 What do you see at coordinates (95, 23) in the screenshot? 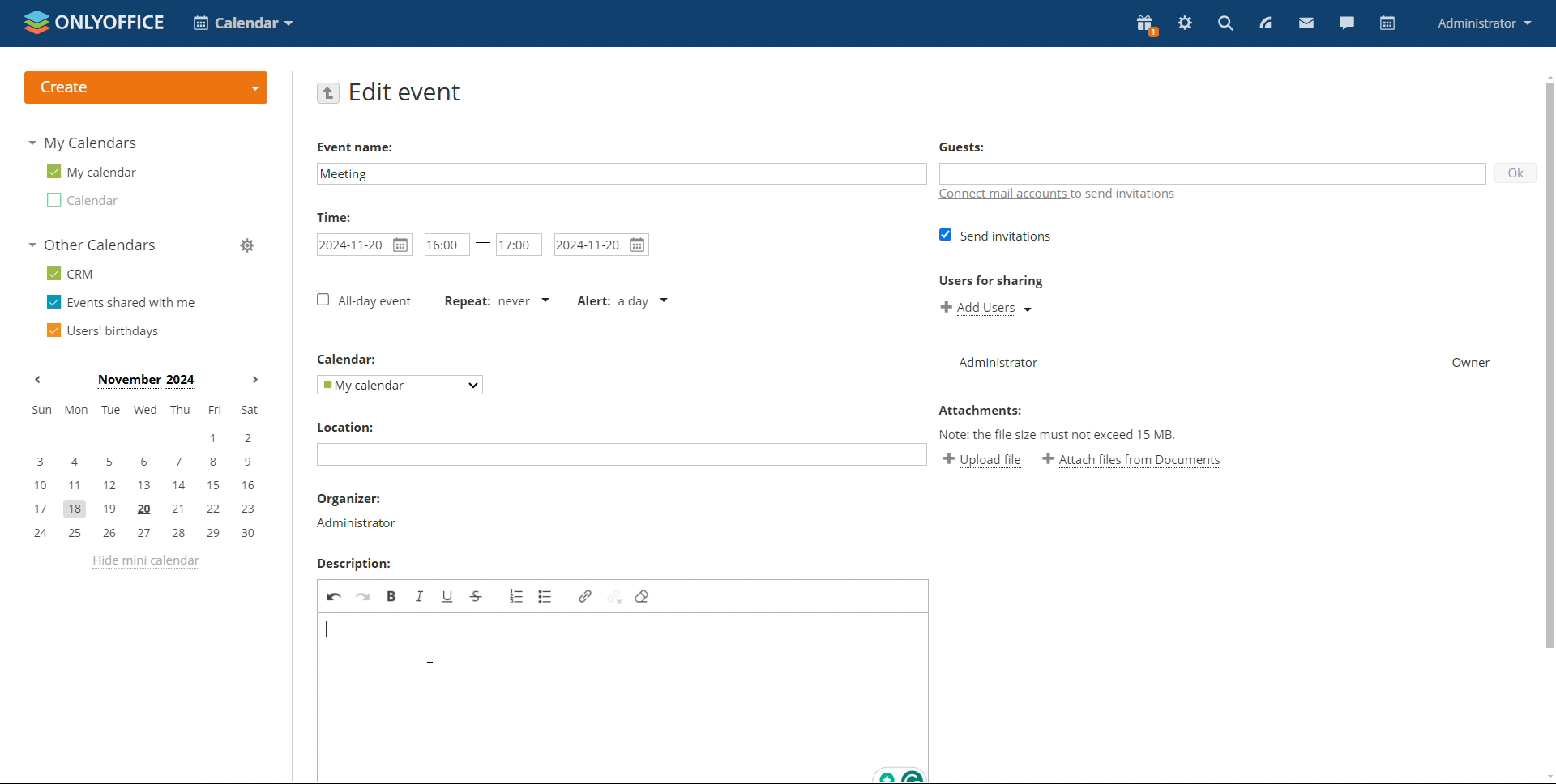
I see `logo` at bounding box center [95, 23].